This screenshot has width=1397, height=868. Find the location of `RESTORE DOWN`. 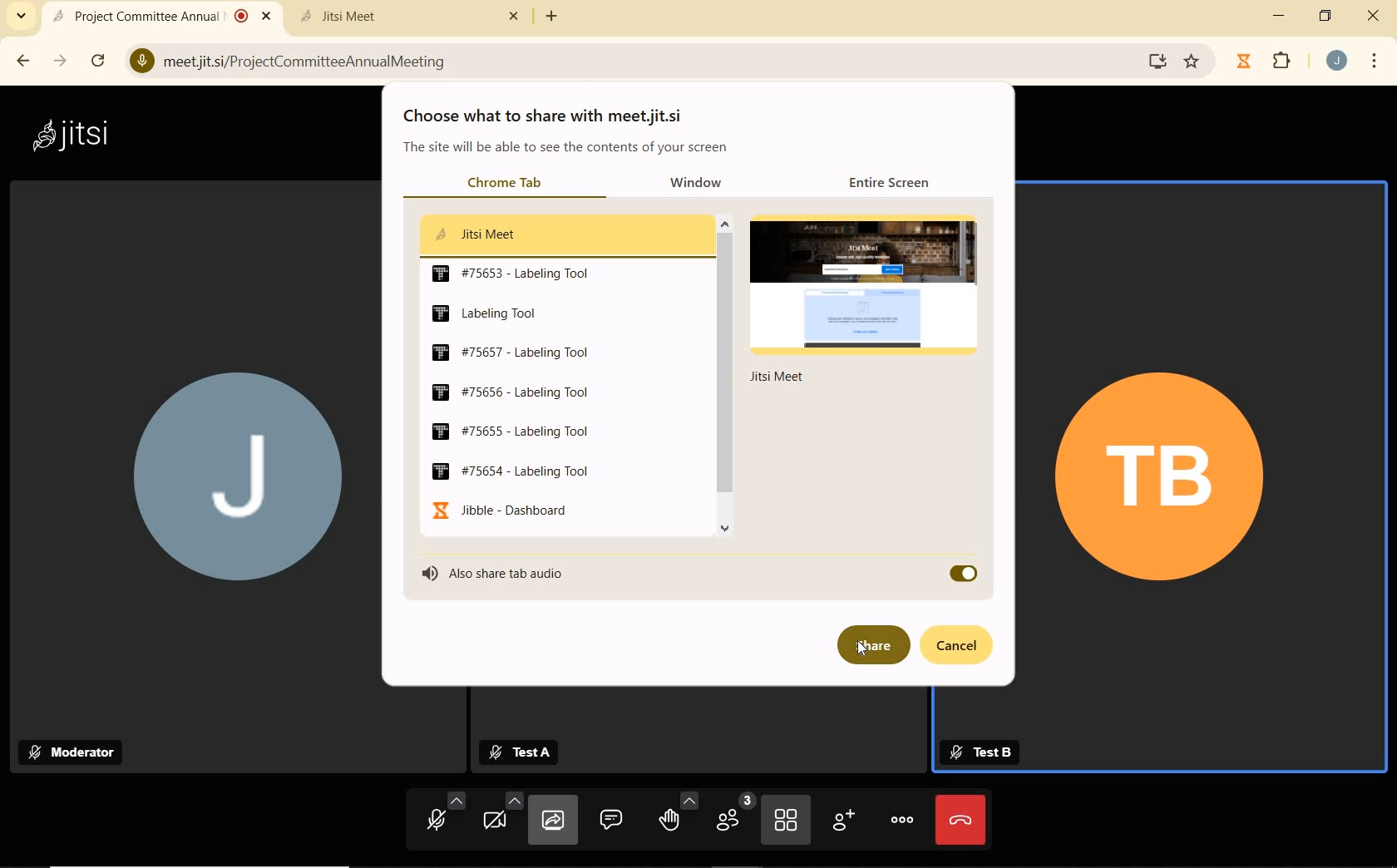

RESTORE DOWN is located at coordinates (1325, 16).